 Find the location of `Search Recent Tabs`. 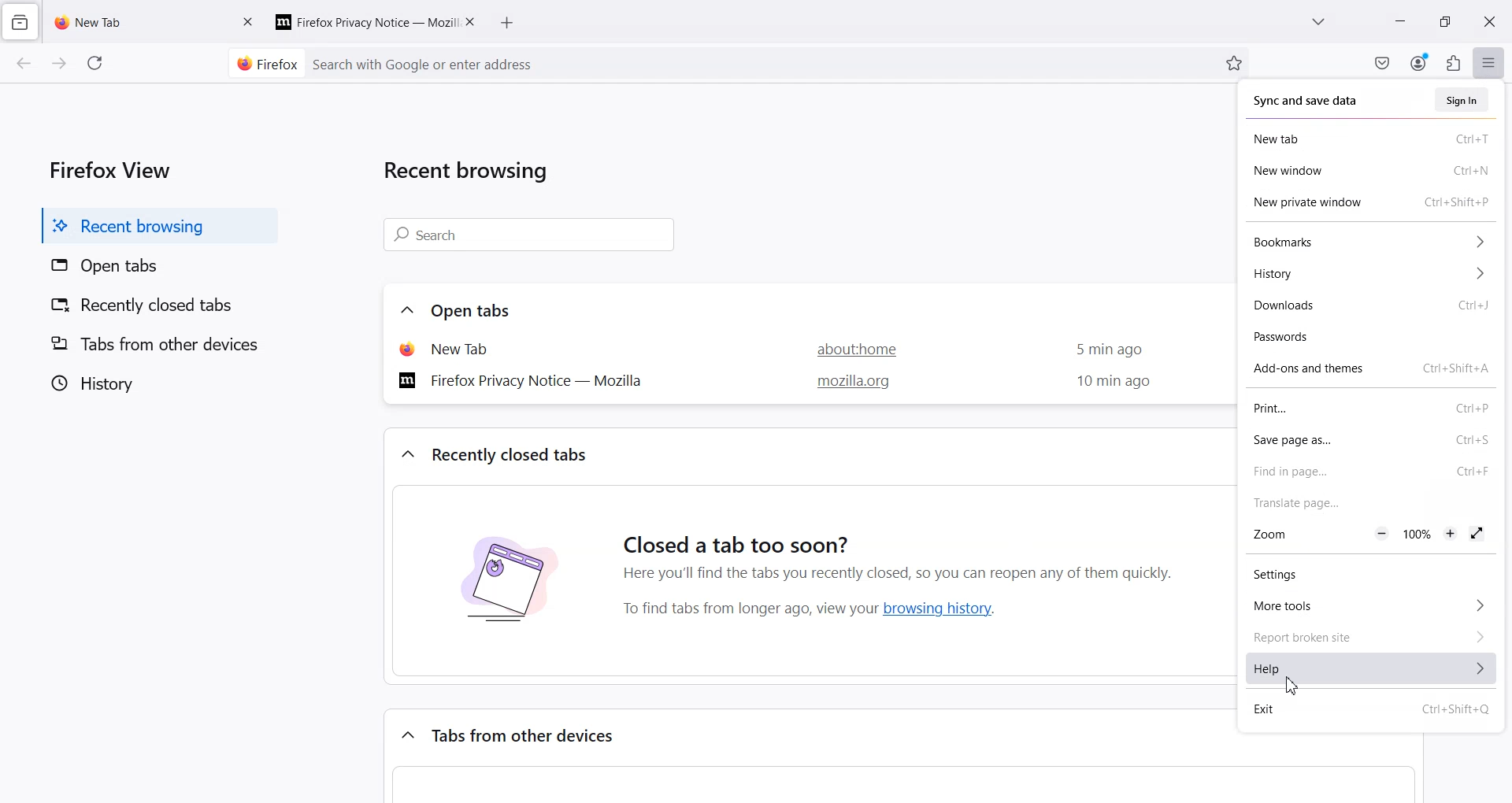

Search Recent Tabs is located at coordinates (532, 235).